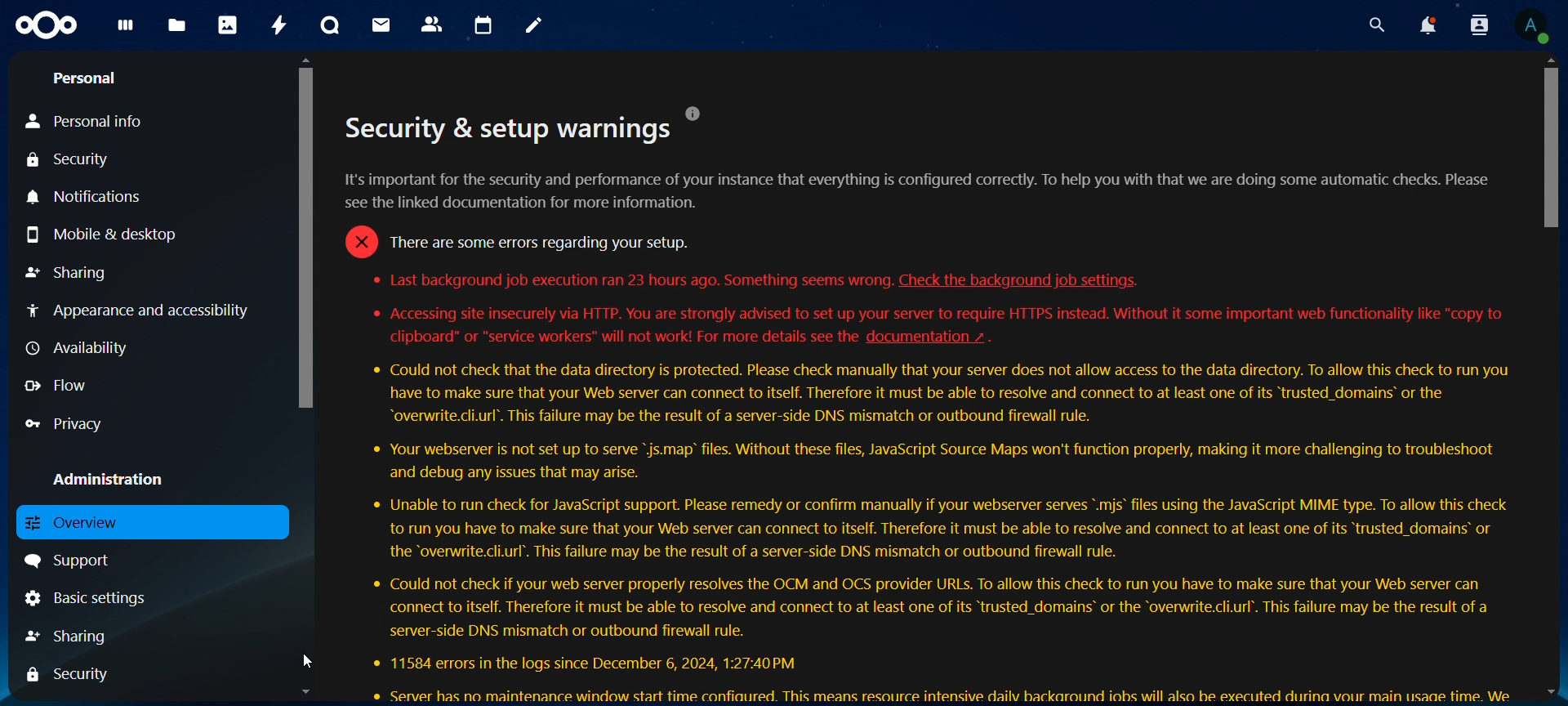 The height and width of the screenshot is (706, 1568). I want to click on personal info, so click(84, 123).